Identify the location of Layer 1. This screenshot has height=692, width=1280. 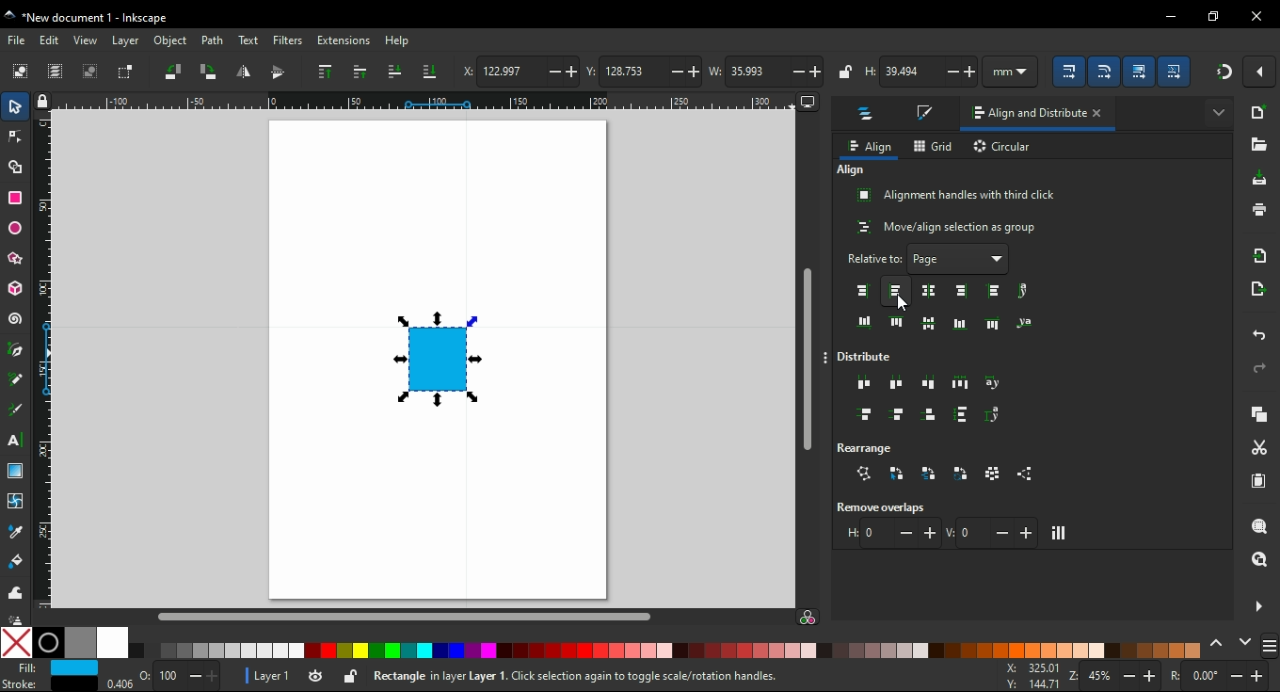
(270, 675).